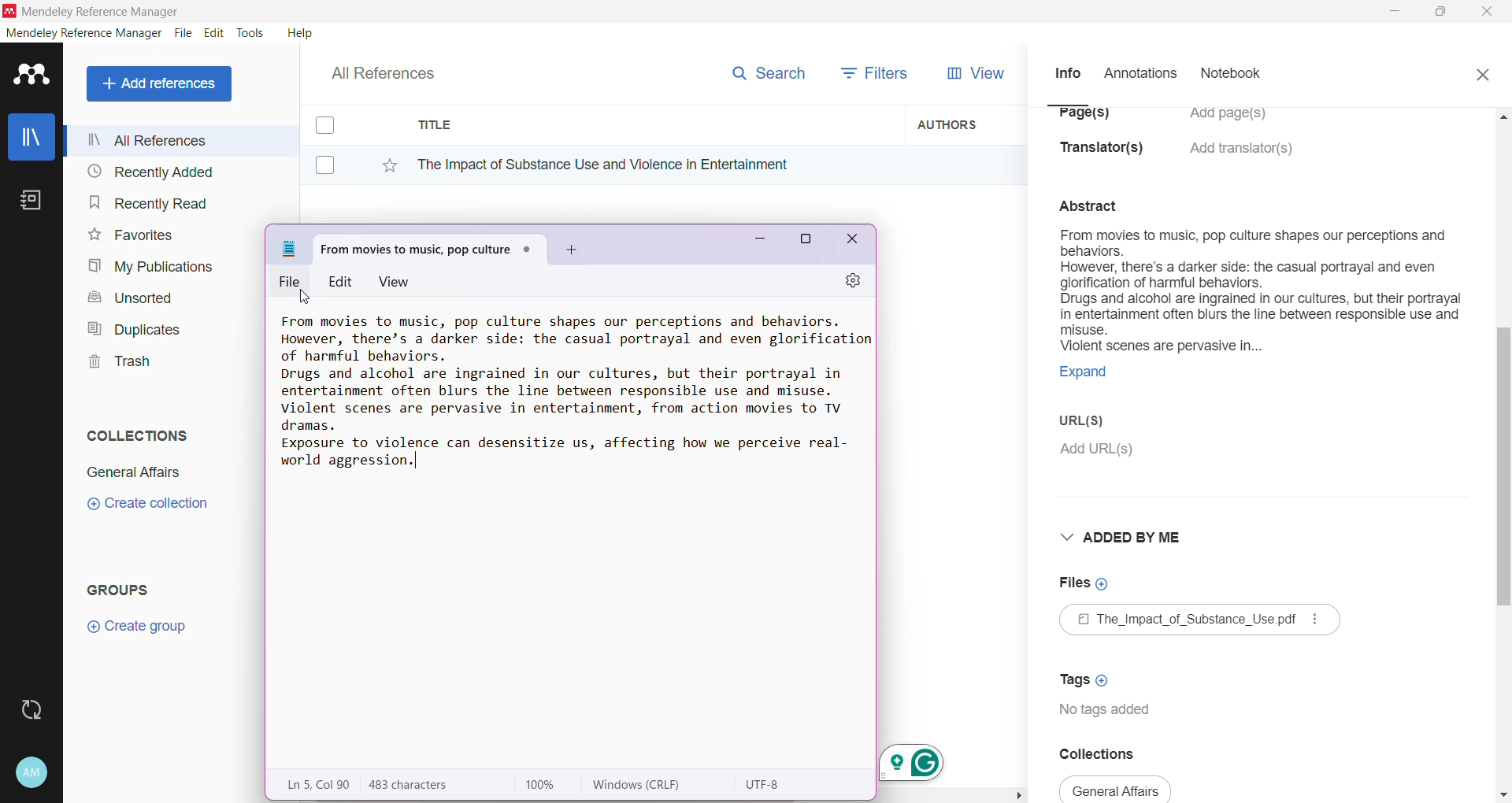 Image resolution: width=1512 pixels, height=803 pixels. Describe the element at coordinates (966, 124) in the screenshot. I see `Authors` at that location.